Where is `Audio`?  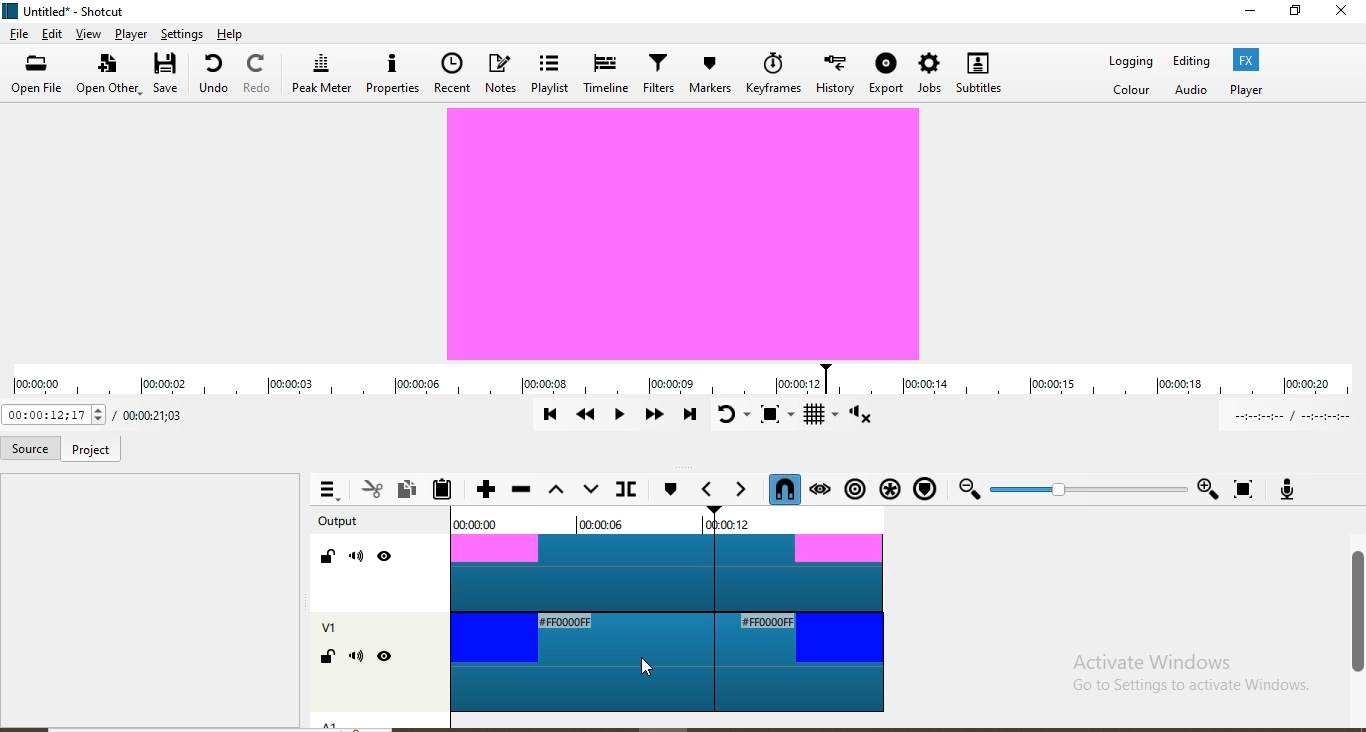
Audio is located at coordinates (1190, 88).